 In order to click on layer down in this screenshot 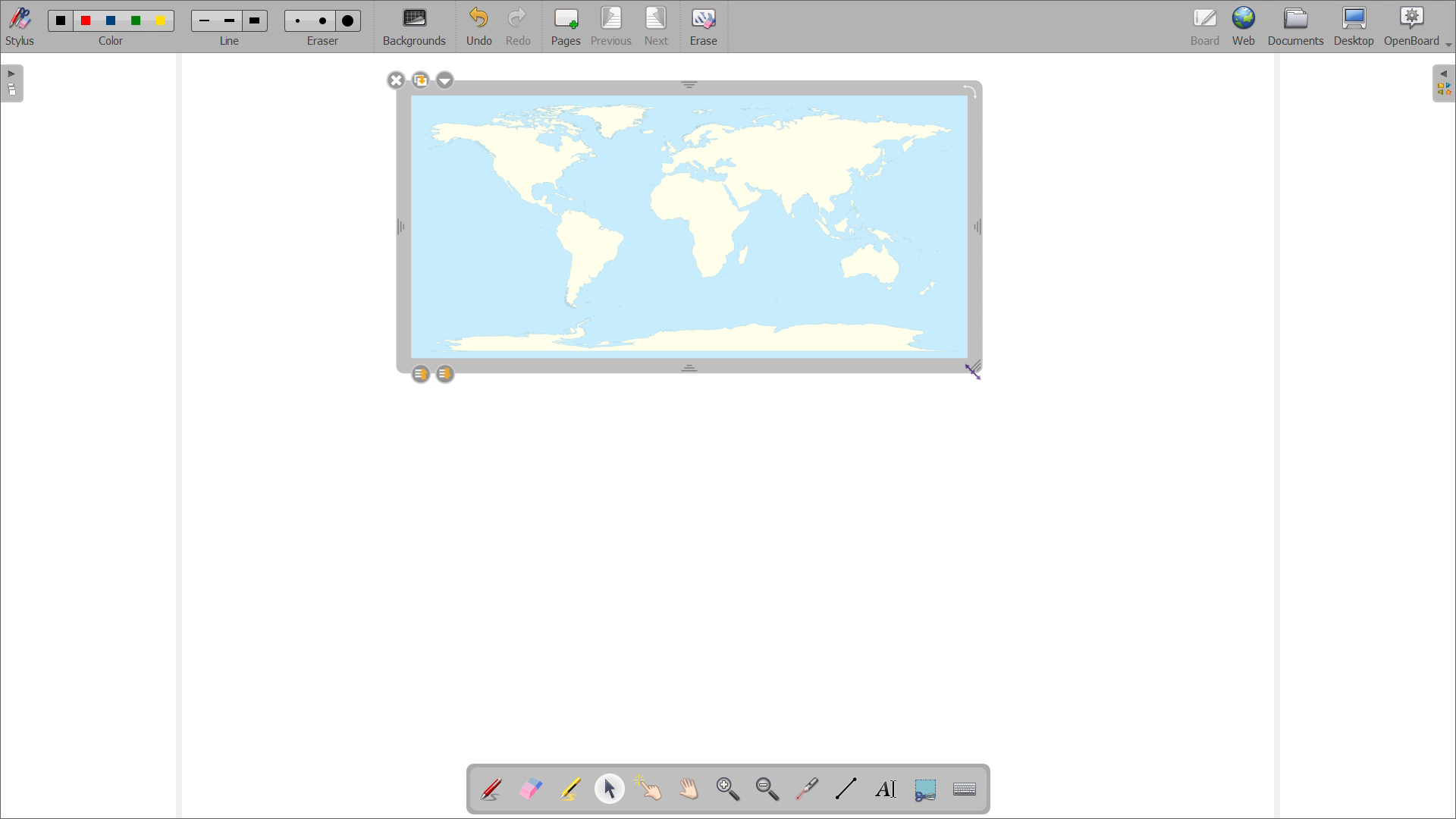, I will do `click(444, 373)`.